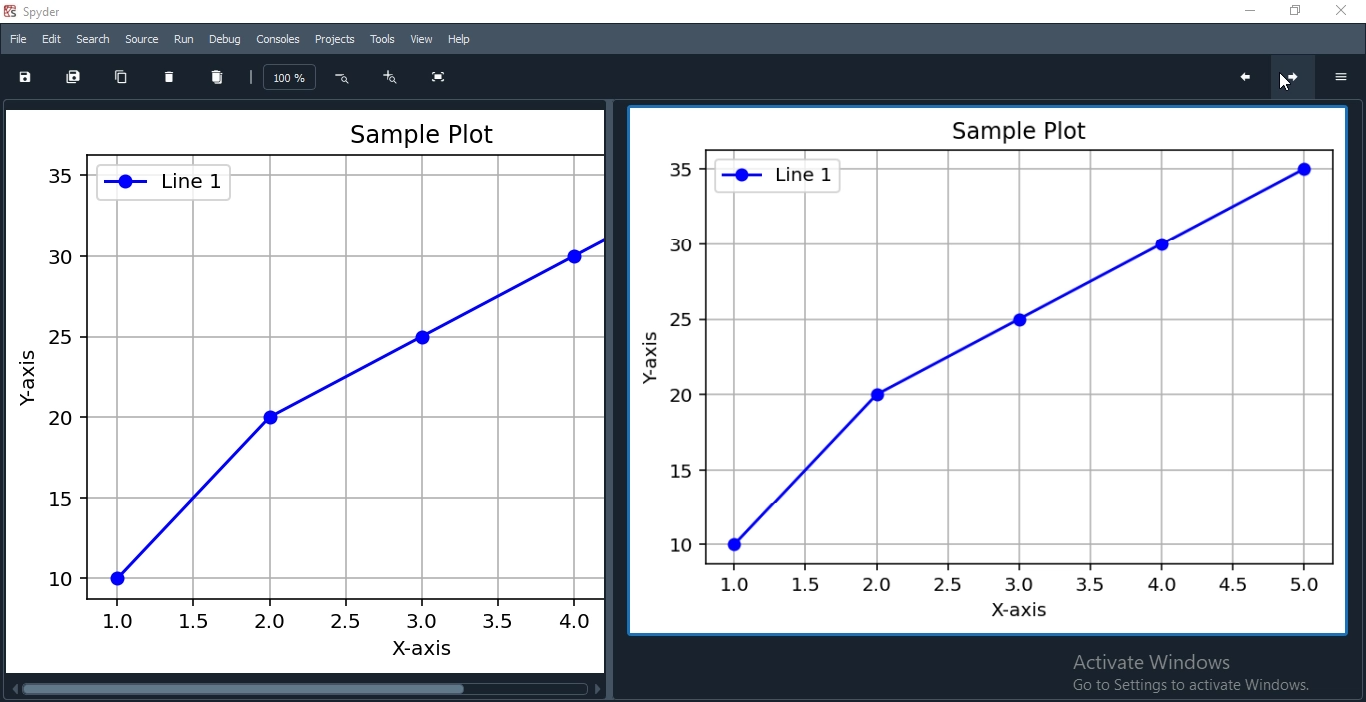 Image resolution: width=1366 pixels, height=702 pixels. What do you see at coordinates (28, 77) in the screenshot?
I see `save` at bounding box center [28, 77].